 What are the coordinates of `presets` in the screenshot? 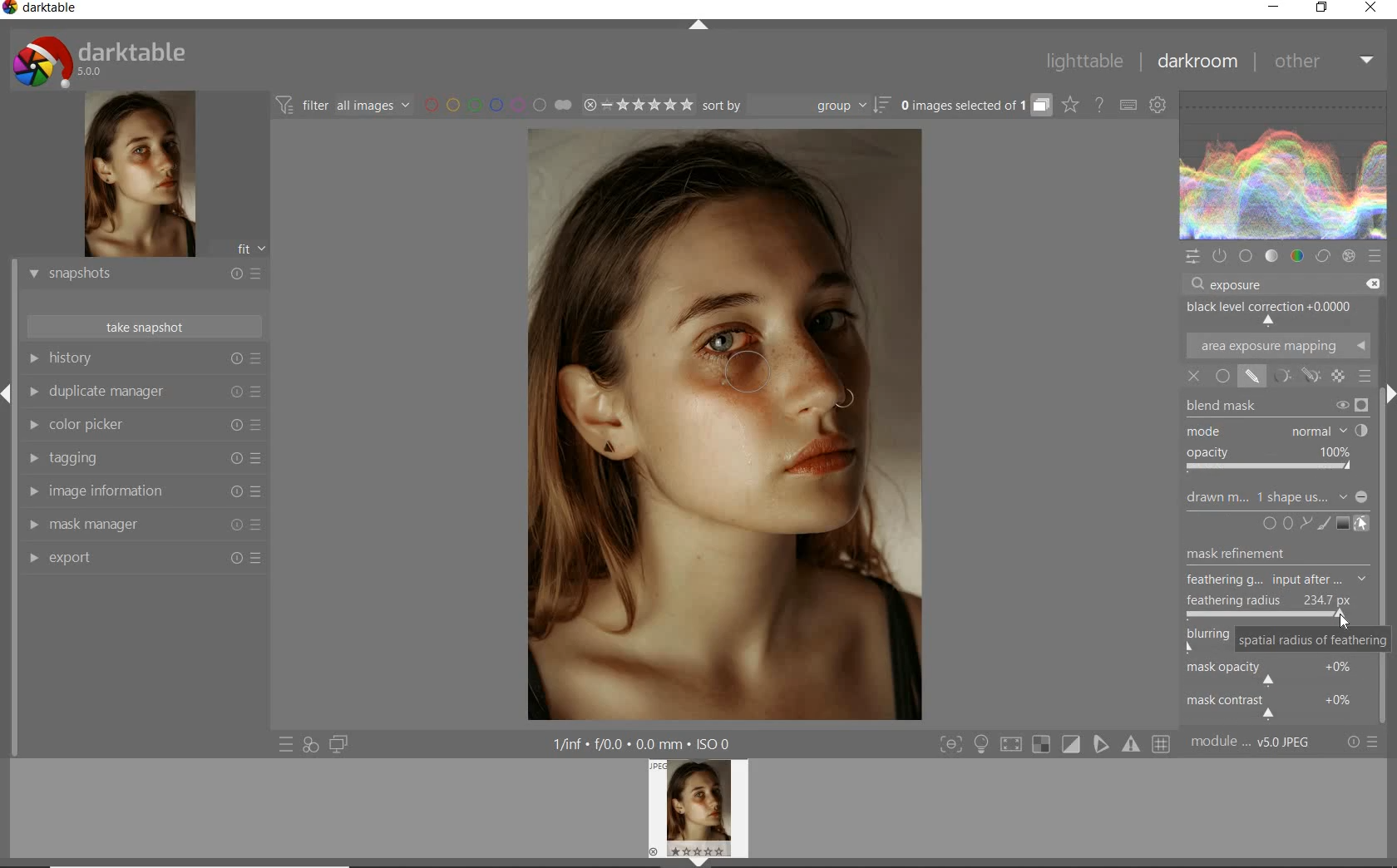 It's located at (1375, 256).